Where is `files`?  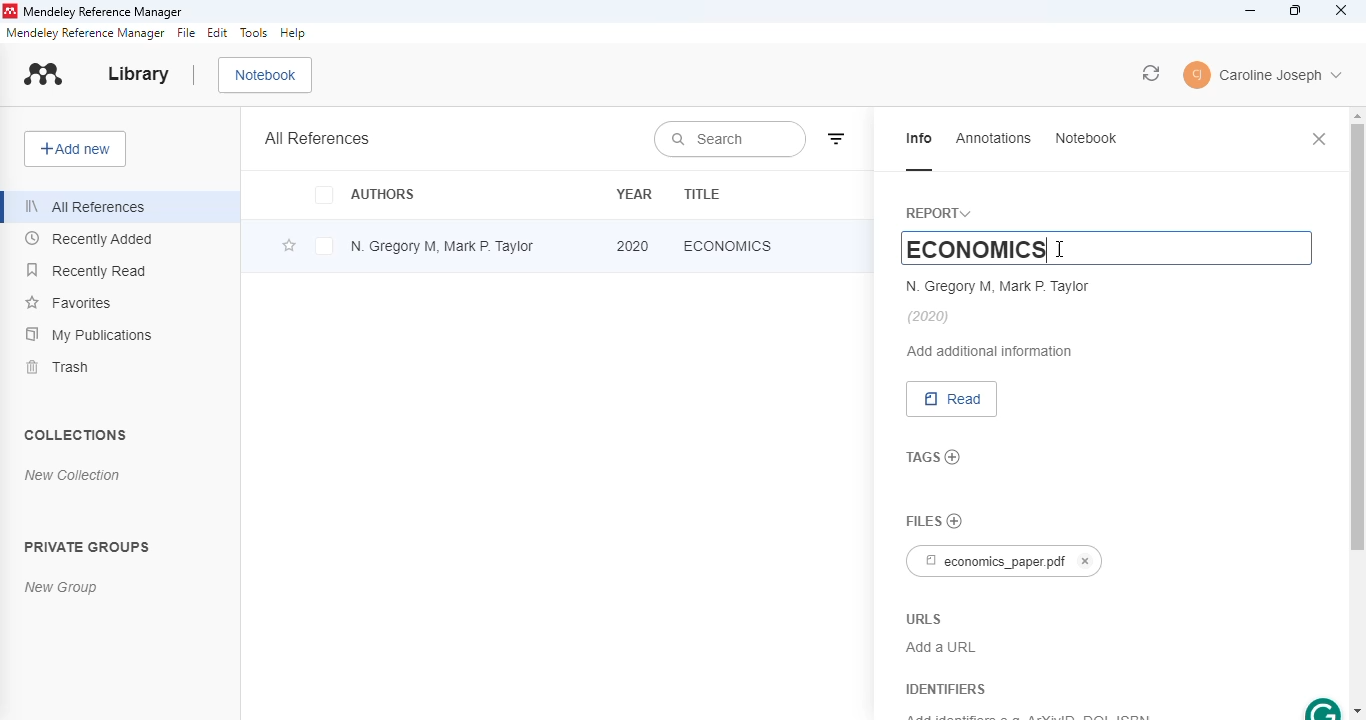 files is located at coordinates (922, 521).